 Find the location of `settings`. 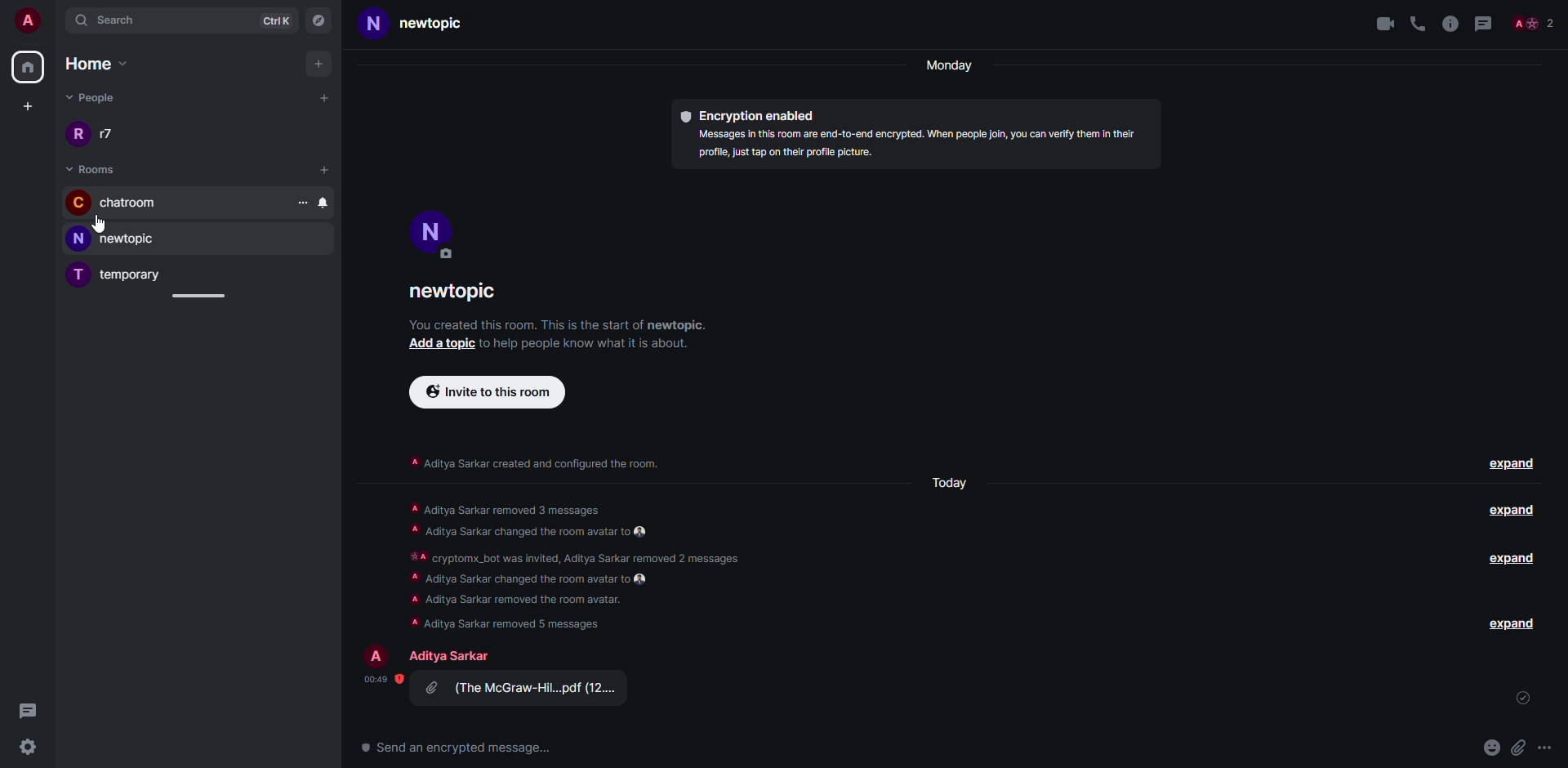

settings is located at coordinates (31, 747).